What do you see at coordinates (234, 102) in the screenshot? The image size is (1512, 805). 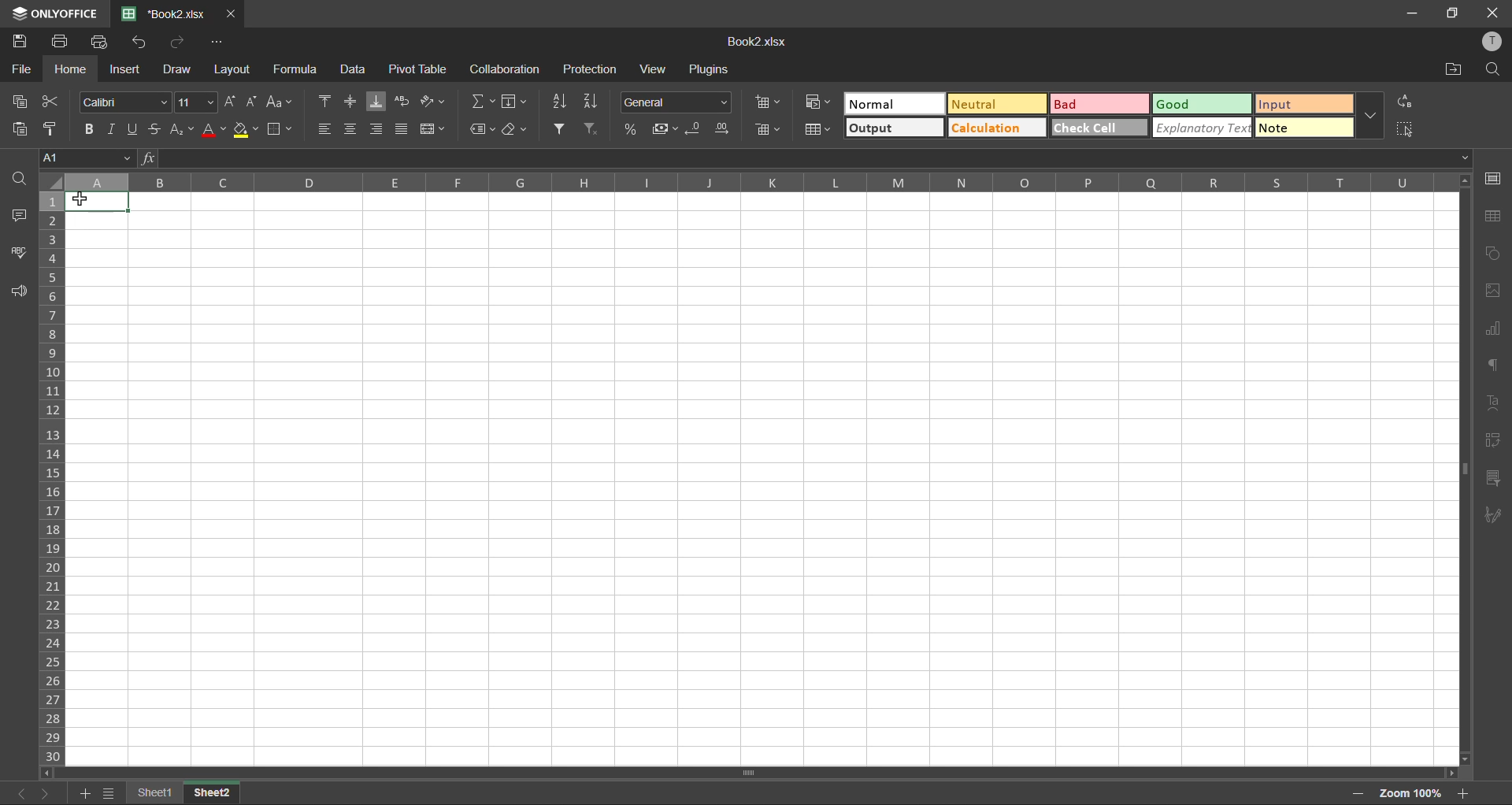 I see `increment size` at bounding box center [234, 102].